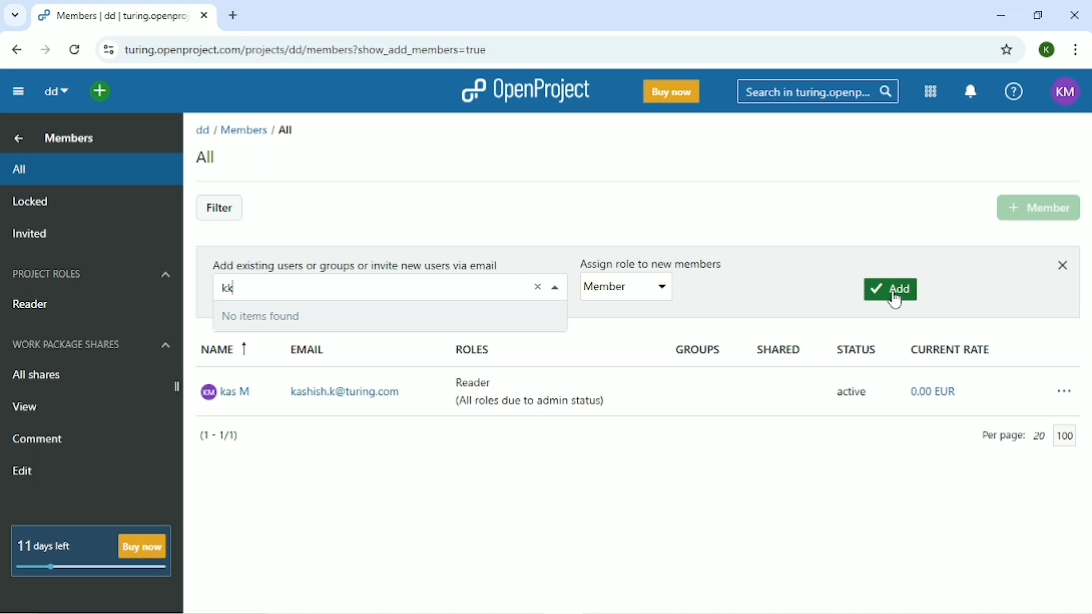  I want to click on 0.00EUR, so click(937, 391).